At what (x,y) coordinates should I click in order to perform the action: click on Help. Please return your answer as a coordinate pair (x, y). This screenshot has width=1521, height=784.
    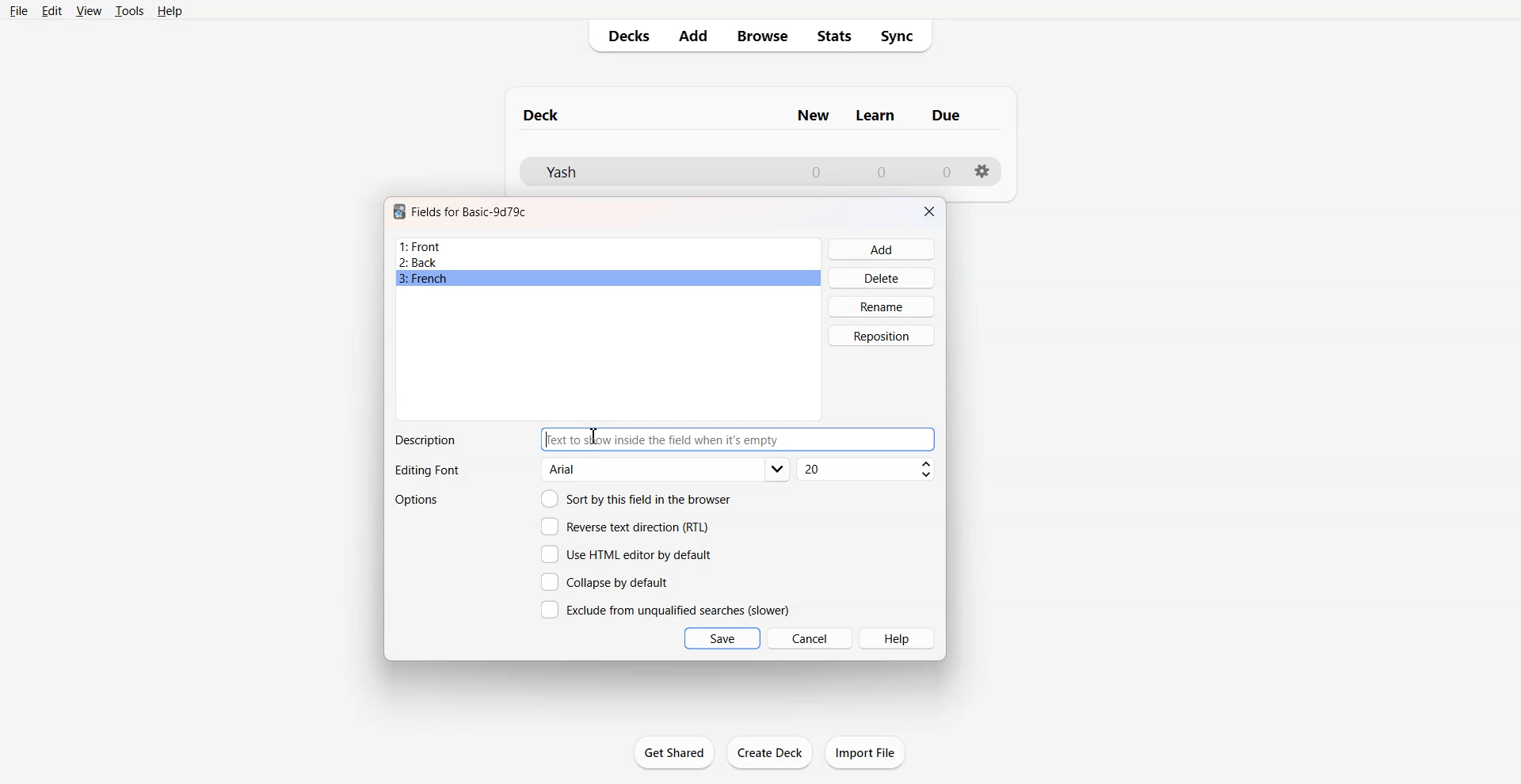
    Looking at the image, I should click on (170, 11).